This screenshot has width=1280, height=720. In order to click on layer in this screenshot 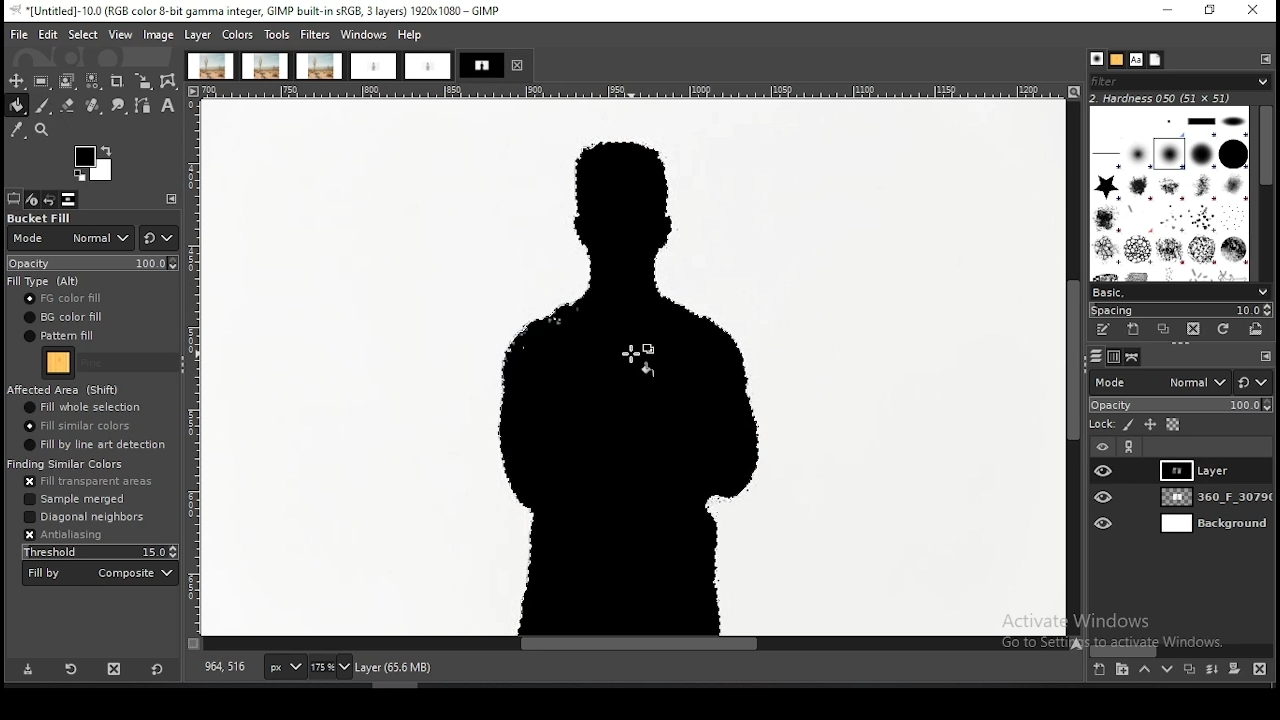, I will do `click(198, 35)`.